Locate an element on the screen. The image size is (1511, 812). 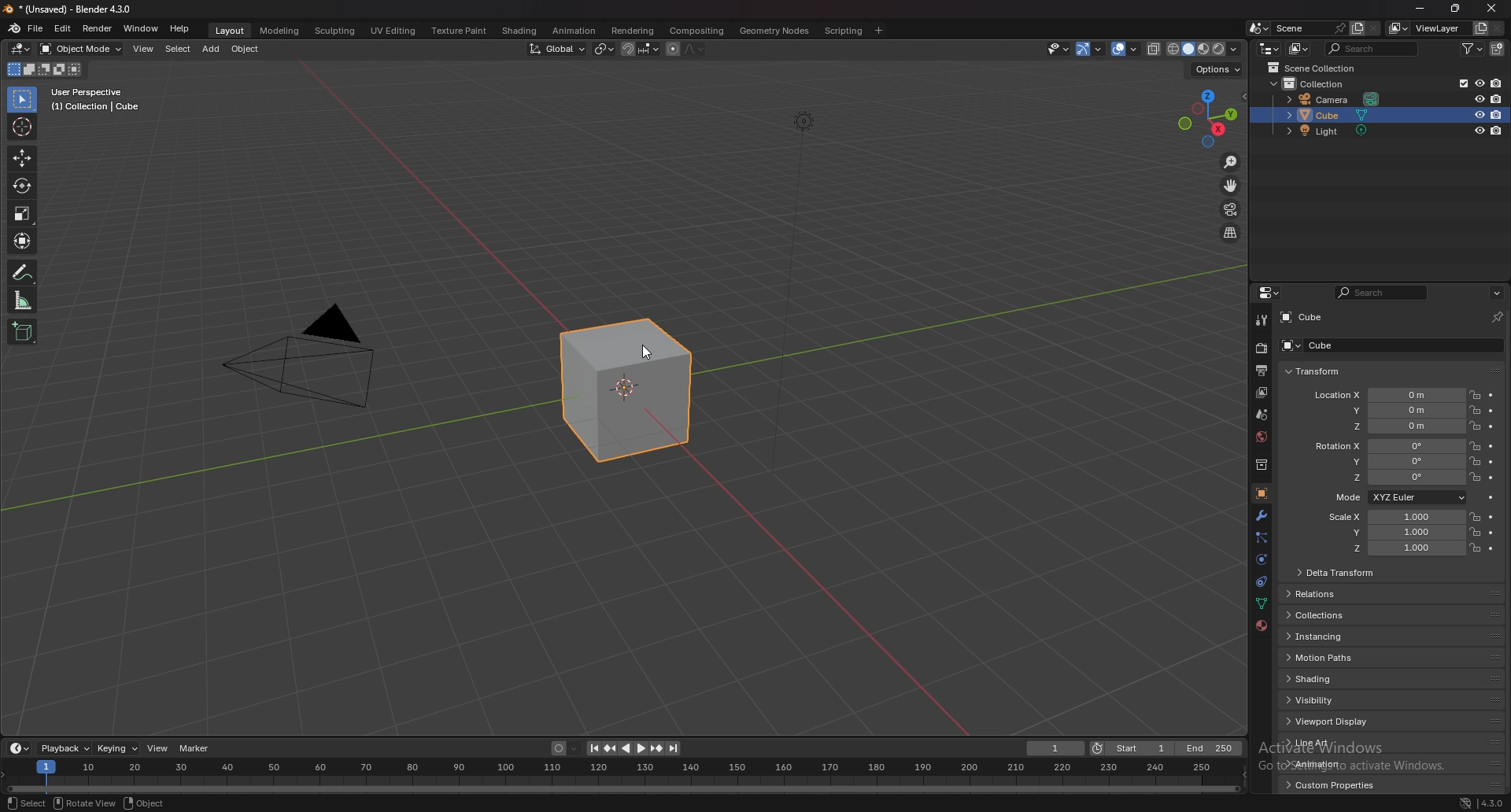
search is located at coordinates (1380, 293).